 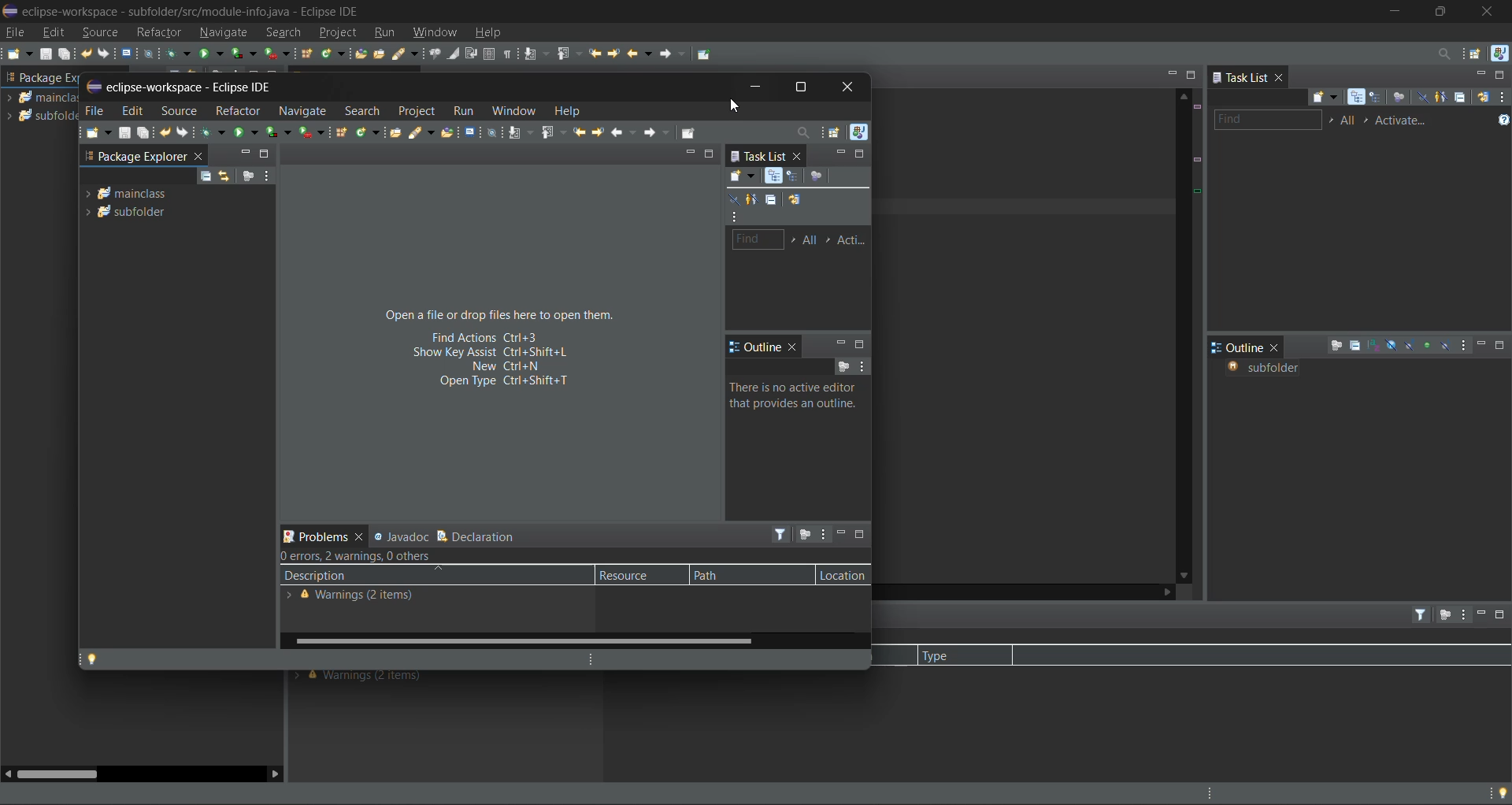 I want to click on run, so click(x=212, y=55).